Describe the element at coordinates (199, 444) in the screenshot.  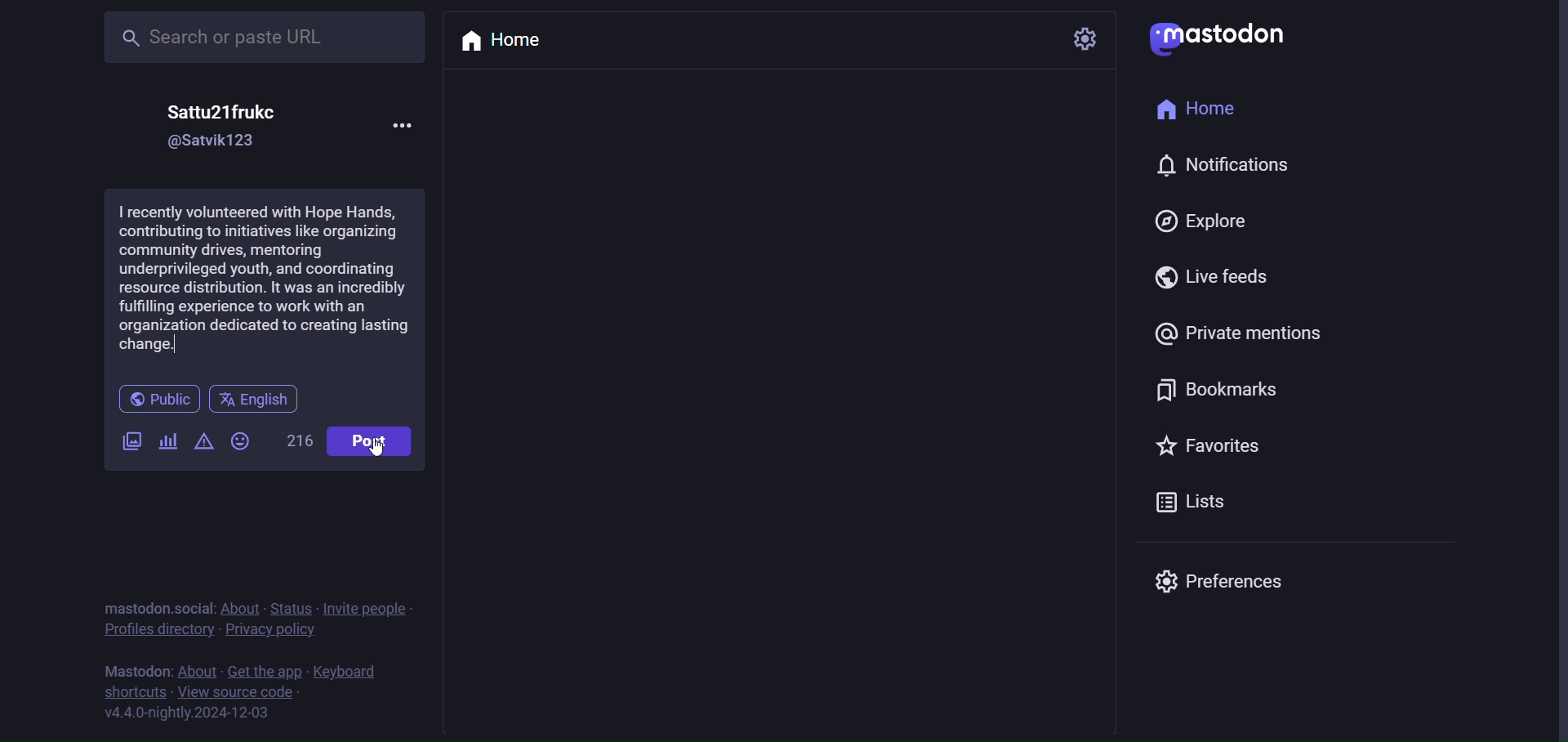
I see `content  warning` at that location.